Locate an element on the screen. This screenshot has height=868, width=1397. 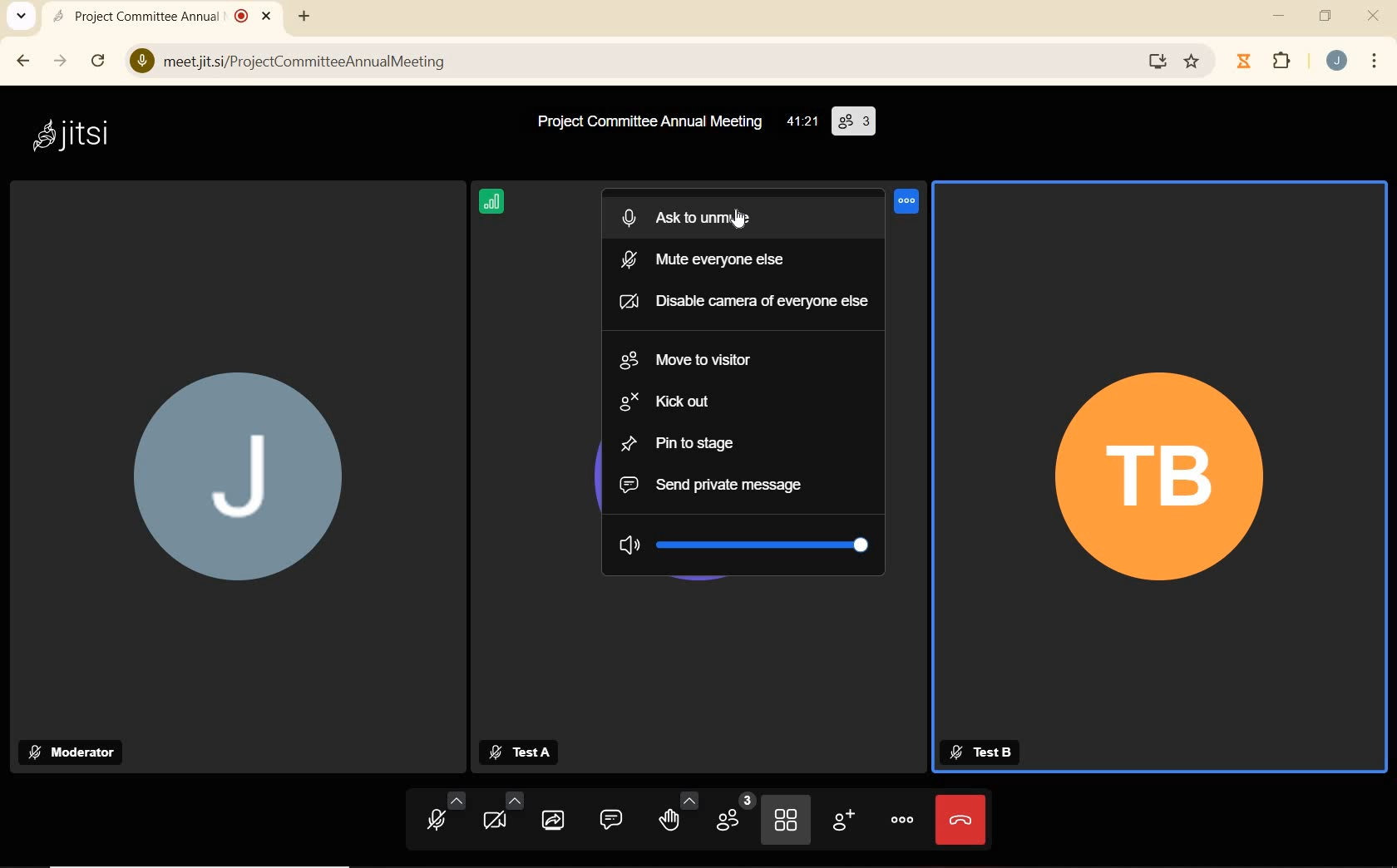
DISABLE CAMERA OF EVERYONE ELSE is located at coordinates (740, 301).